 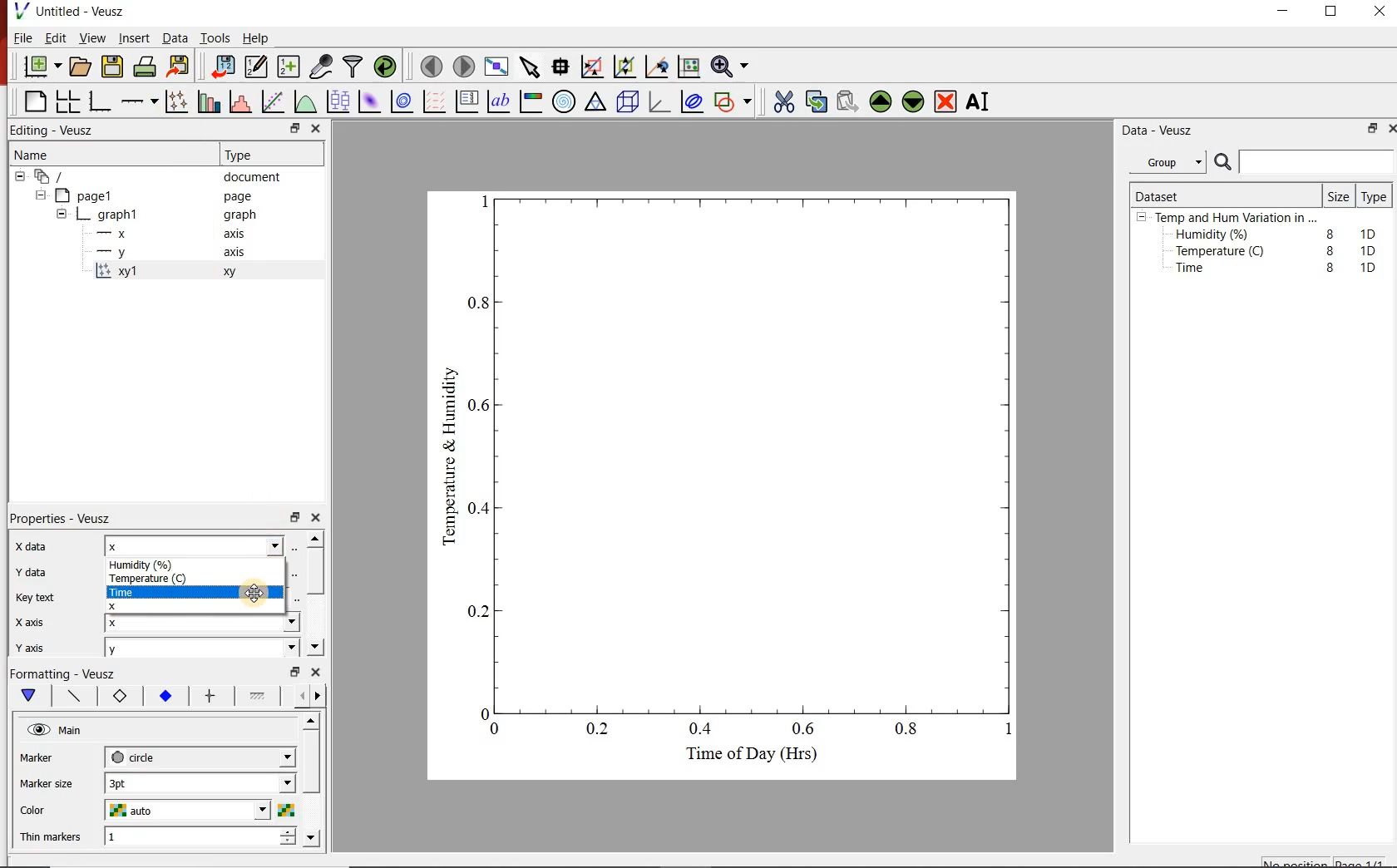 I want to click on Marker dropdown, so click(x=262, y=757).